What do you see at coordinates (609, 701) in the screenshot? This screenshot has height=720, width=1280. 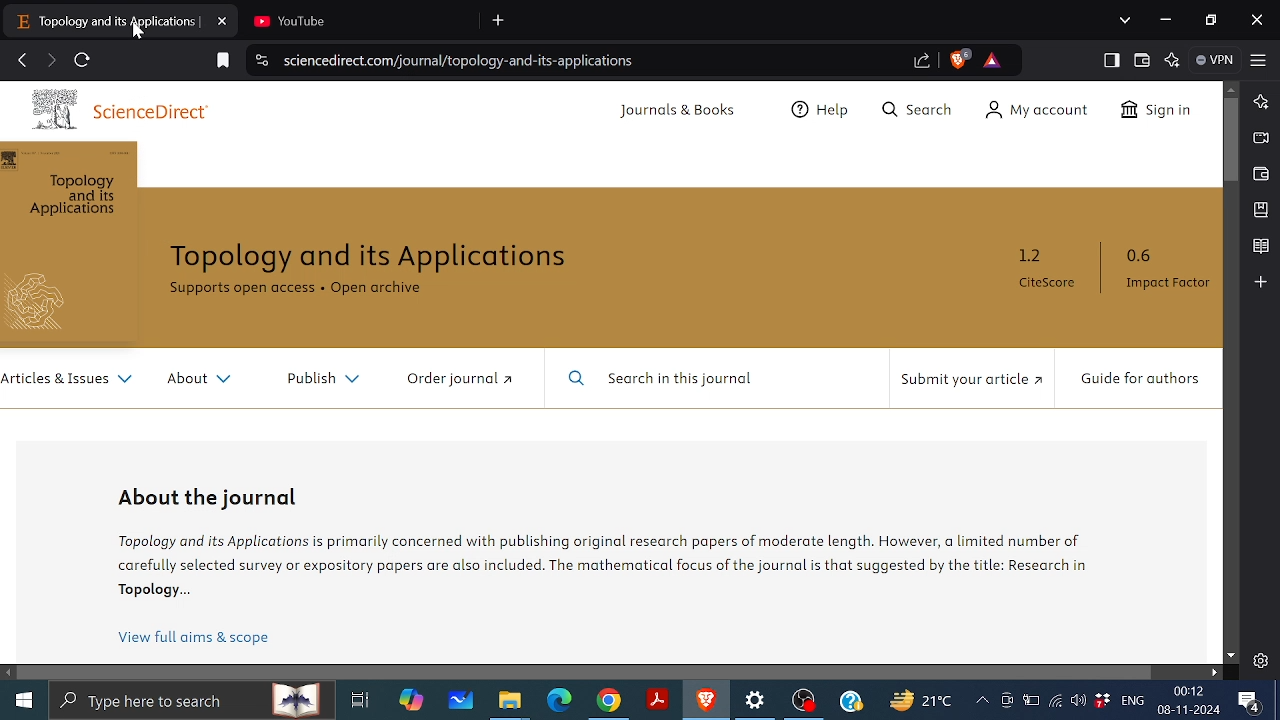 I see `Chrome` at bounding box center [609, 701].